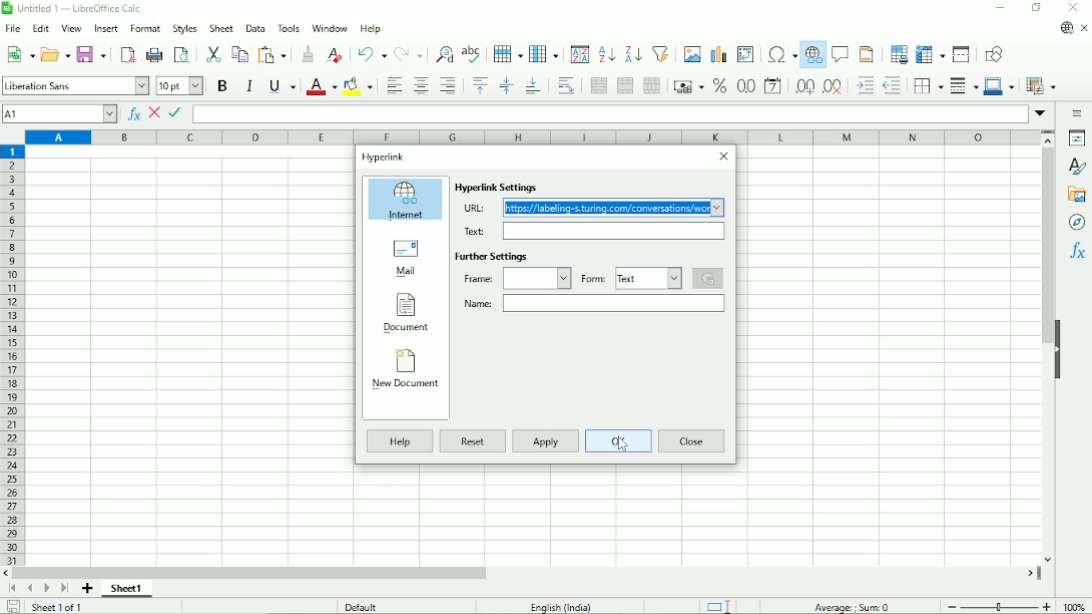 The height and width of the screenshot is (614, 1092). Describe the element at coordinates (580, 55) in the screenshot. I see `Sort` at that location.